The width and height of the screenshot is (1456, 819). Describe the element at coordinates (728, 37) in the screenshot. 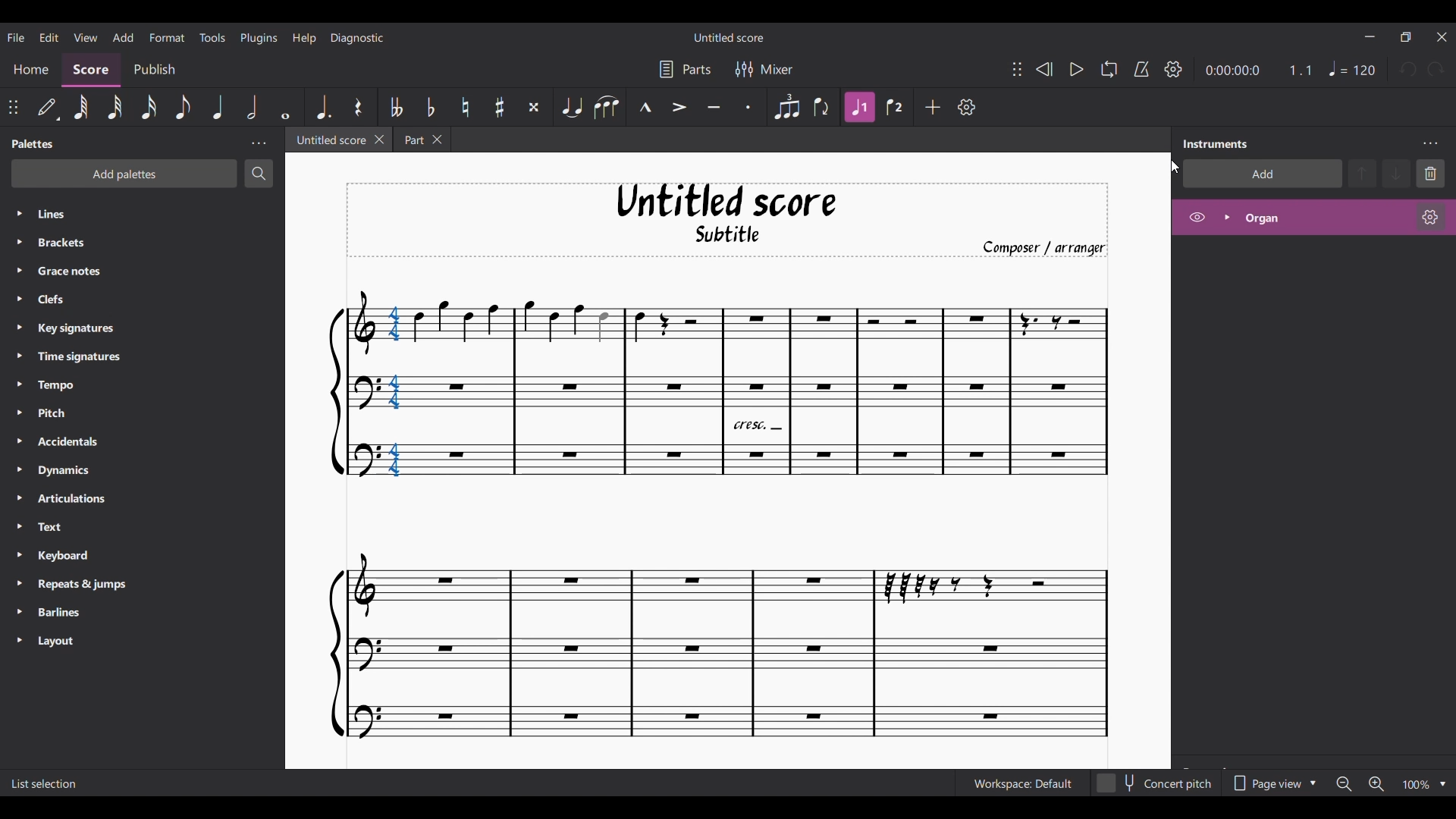

I see `Score title` at that location.